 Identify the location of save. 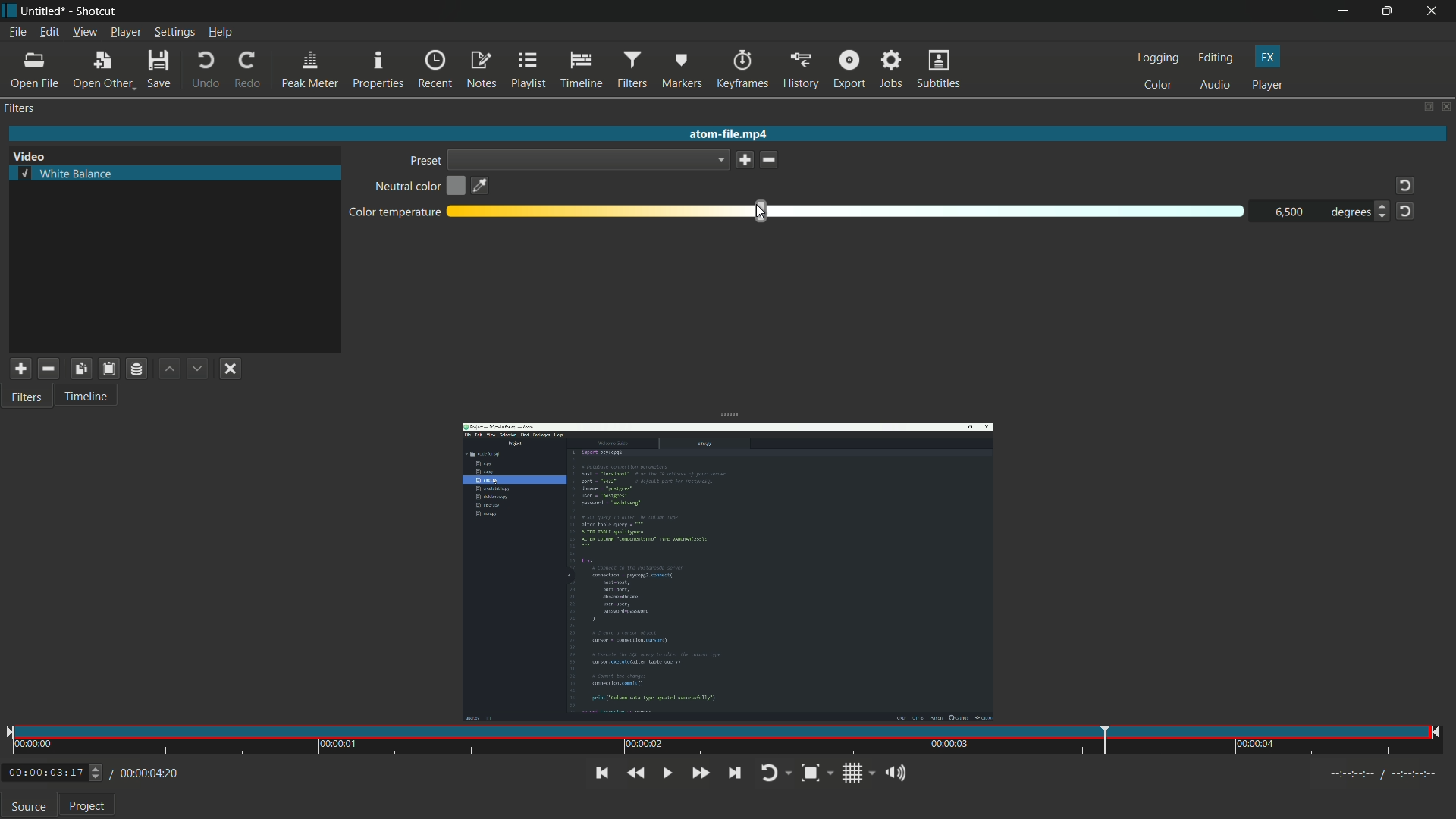
(158, 67).